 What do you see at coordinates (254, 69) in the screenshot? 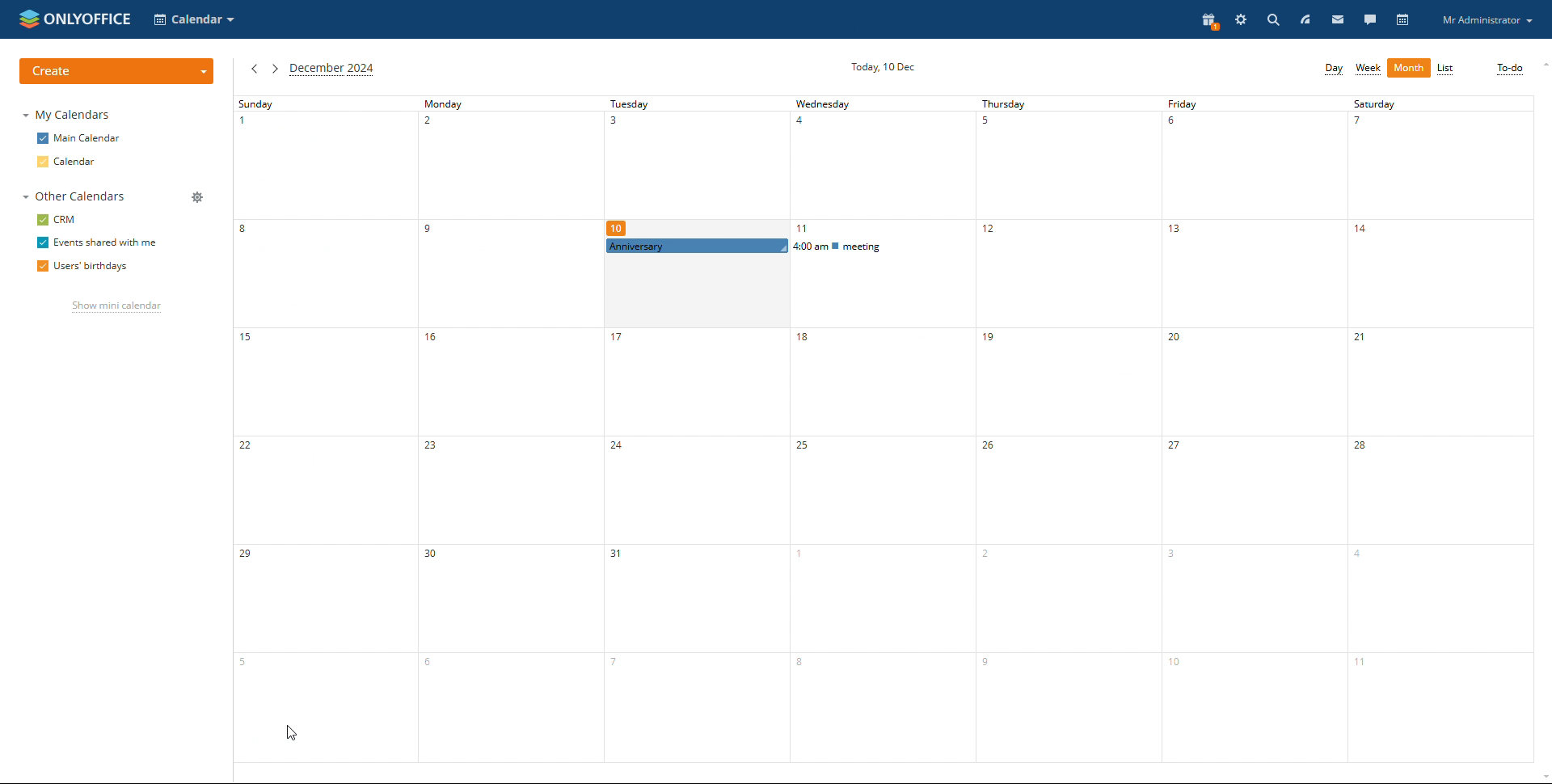
I see `previous month` at bounding box center [254, 69].